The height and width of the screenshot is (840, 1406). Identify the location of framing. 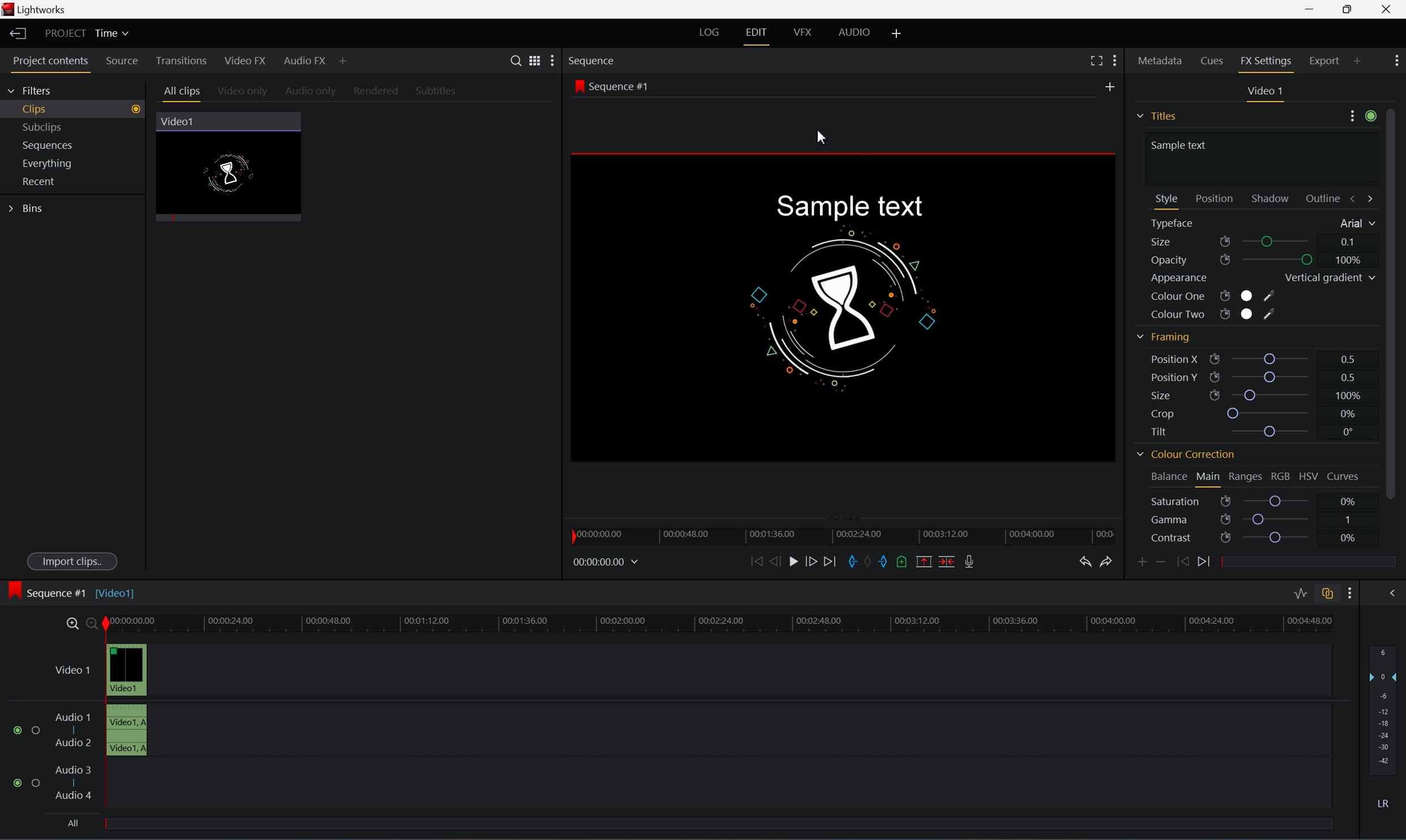
(1163, 337).